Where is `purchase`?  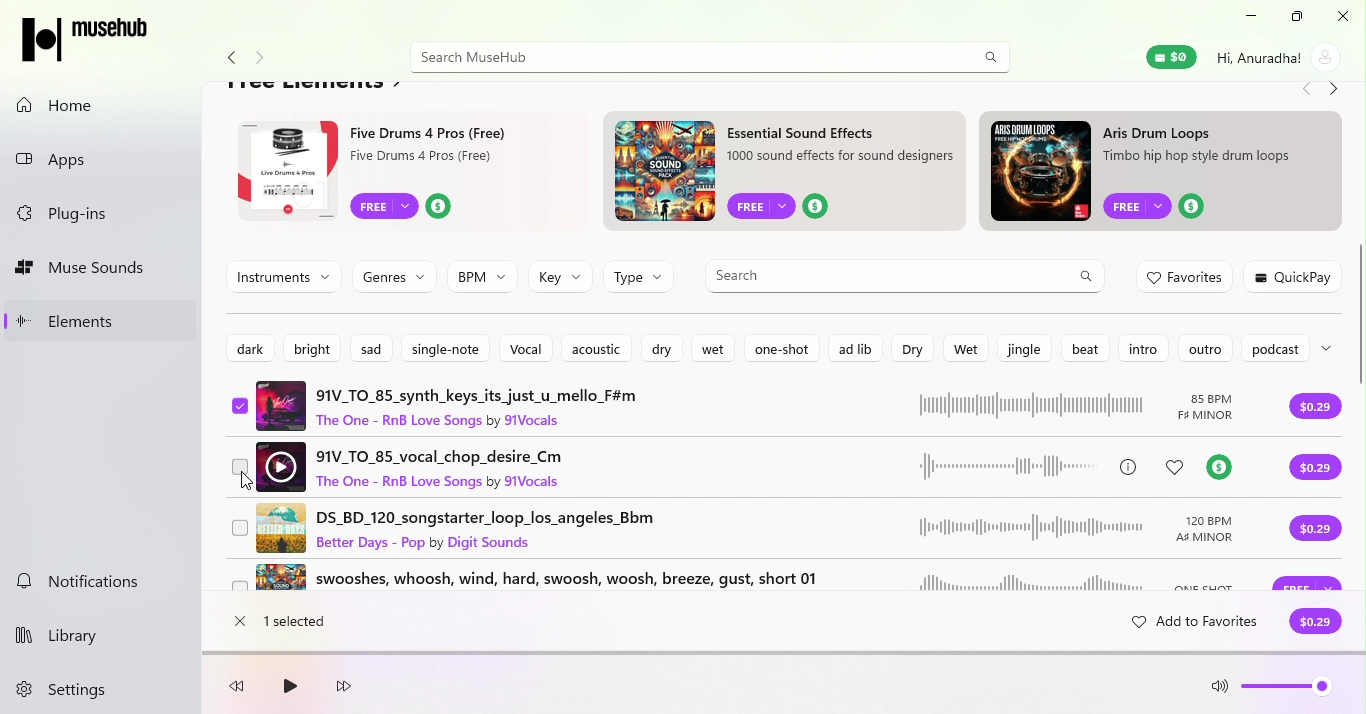 purchase is located at coordinates (1317, 537).